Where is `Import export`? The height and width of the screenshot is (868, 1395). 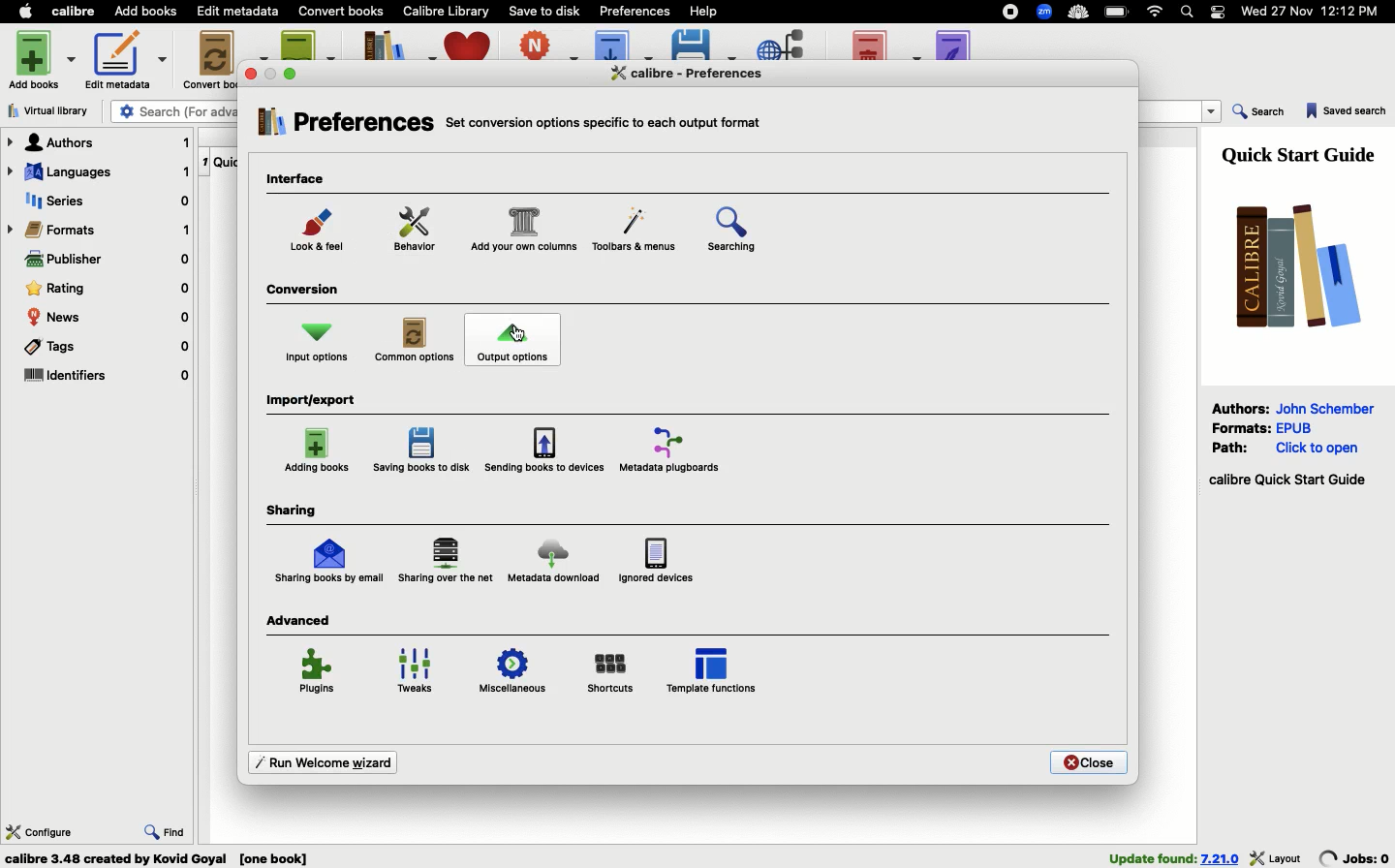 Import export is located at coordinates (316, 401).